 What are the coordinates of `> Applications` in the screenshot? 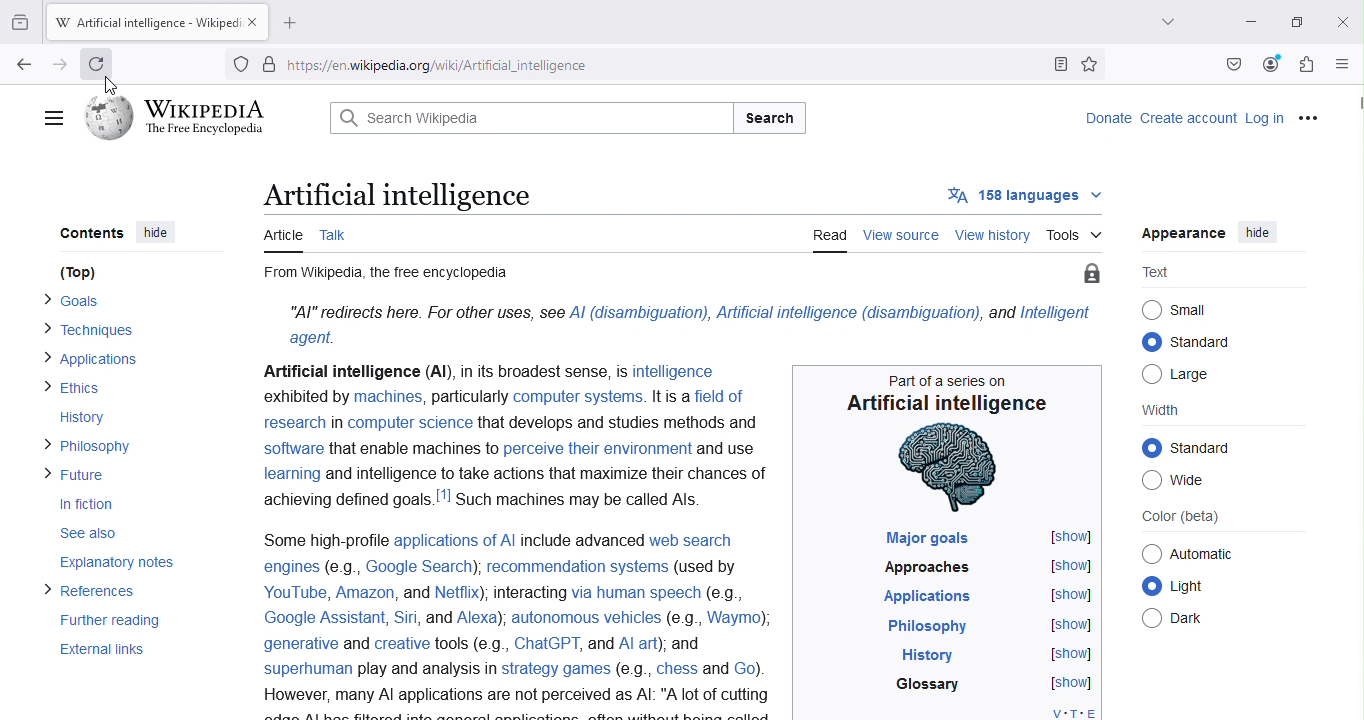 It's located at (95, 360).